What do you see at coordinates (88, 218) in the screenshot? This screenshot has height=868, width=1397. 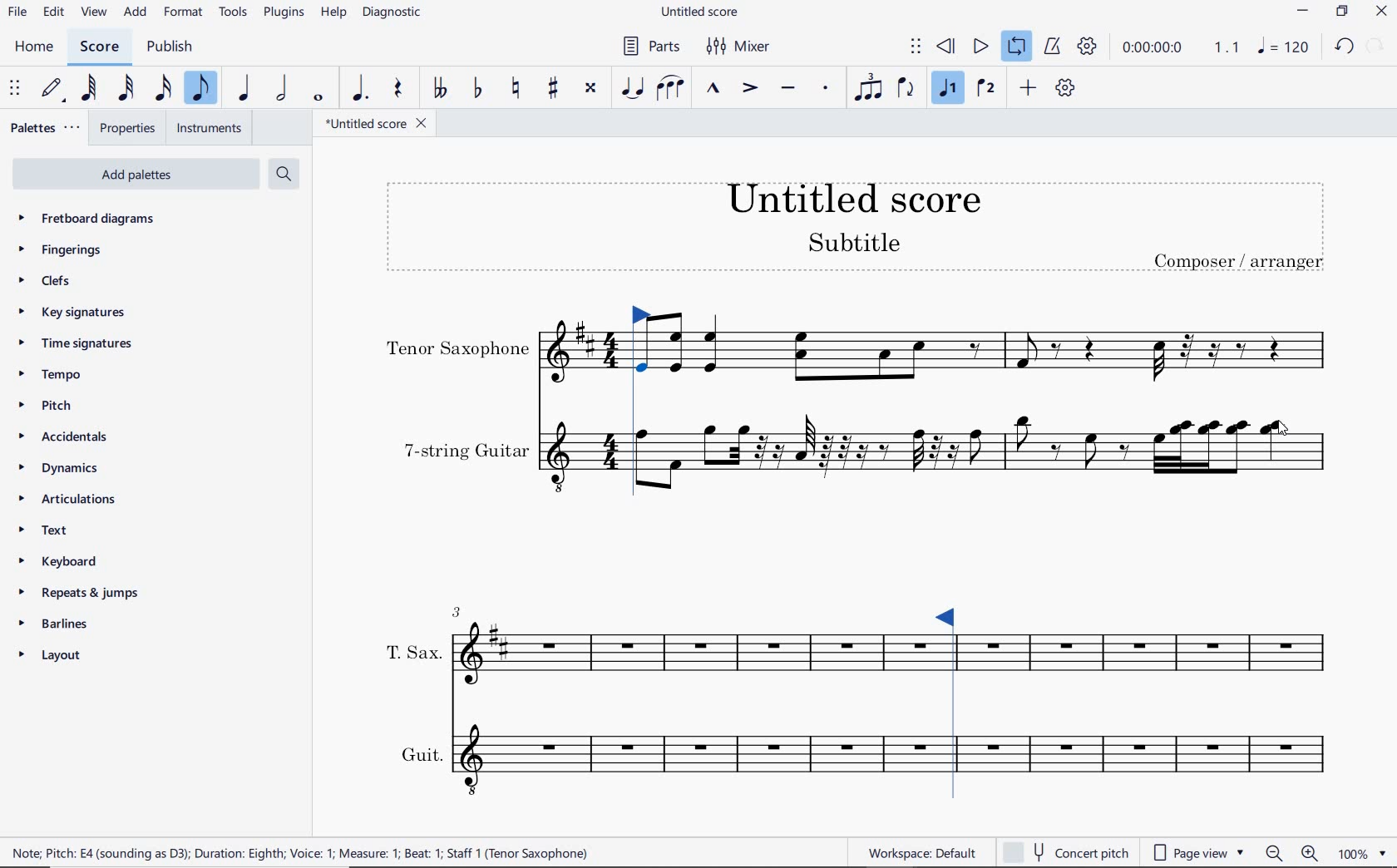 I see `FRETBOARD DIAGRAMS` at bounding box center [88, 218].